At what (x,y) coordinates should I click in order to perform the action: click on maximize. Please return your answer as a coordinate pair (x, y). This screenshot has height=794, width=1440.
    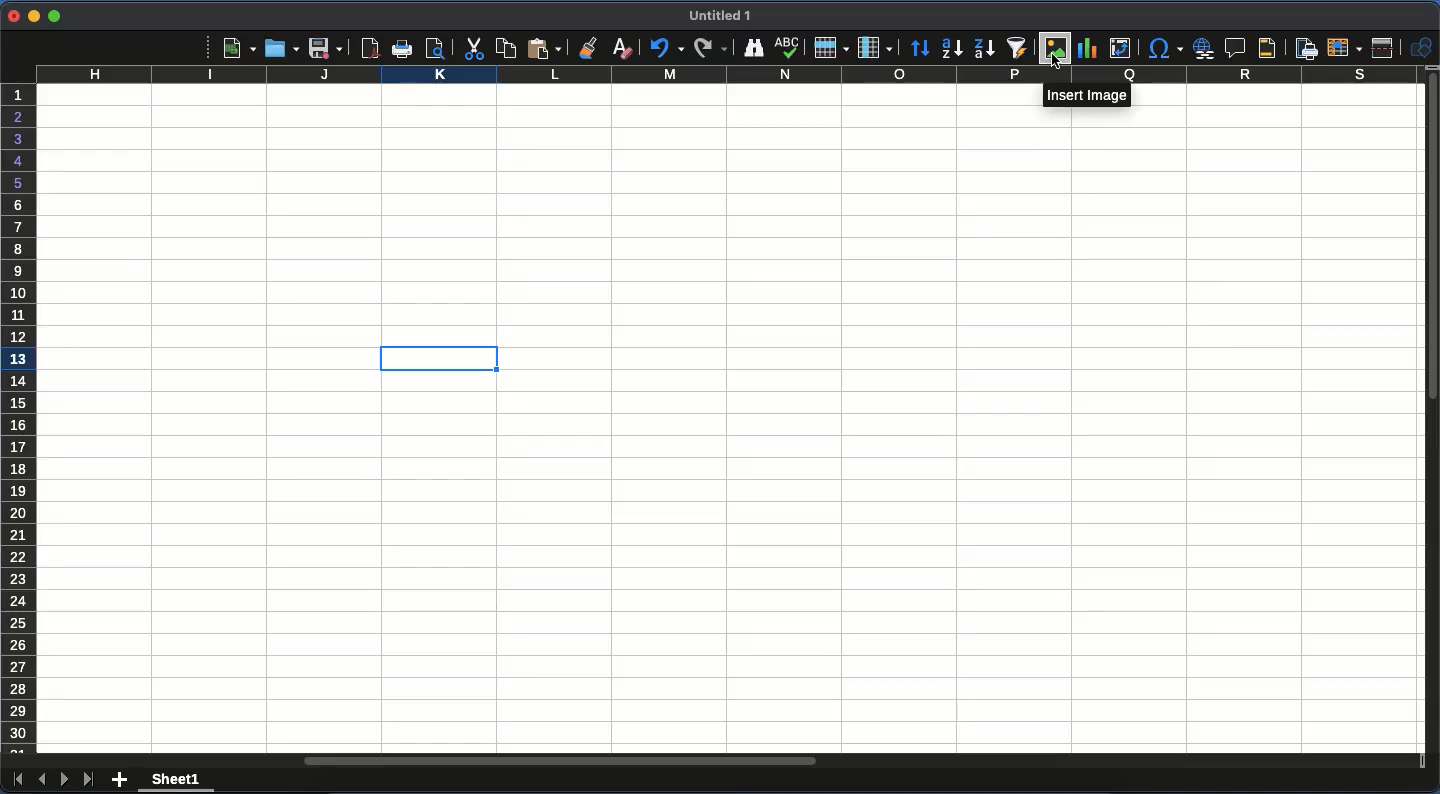
    Looking at the image, I should click on (52, 17).